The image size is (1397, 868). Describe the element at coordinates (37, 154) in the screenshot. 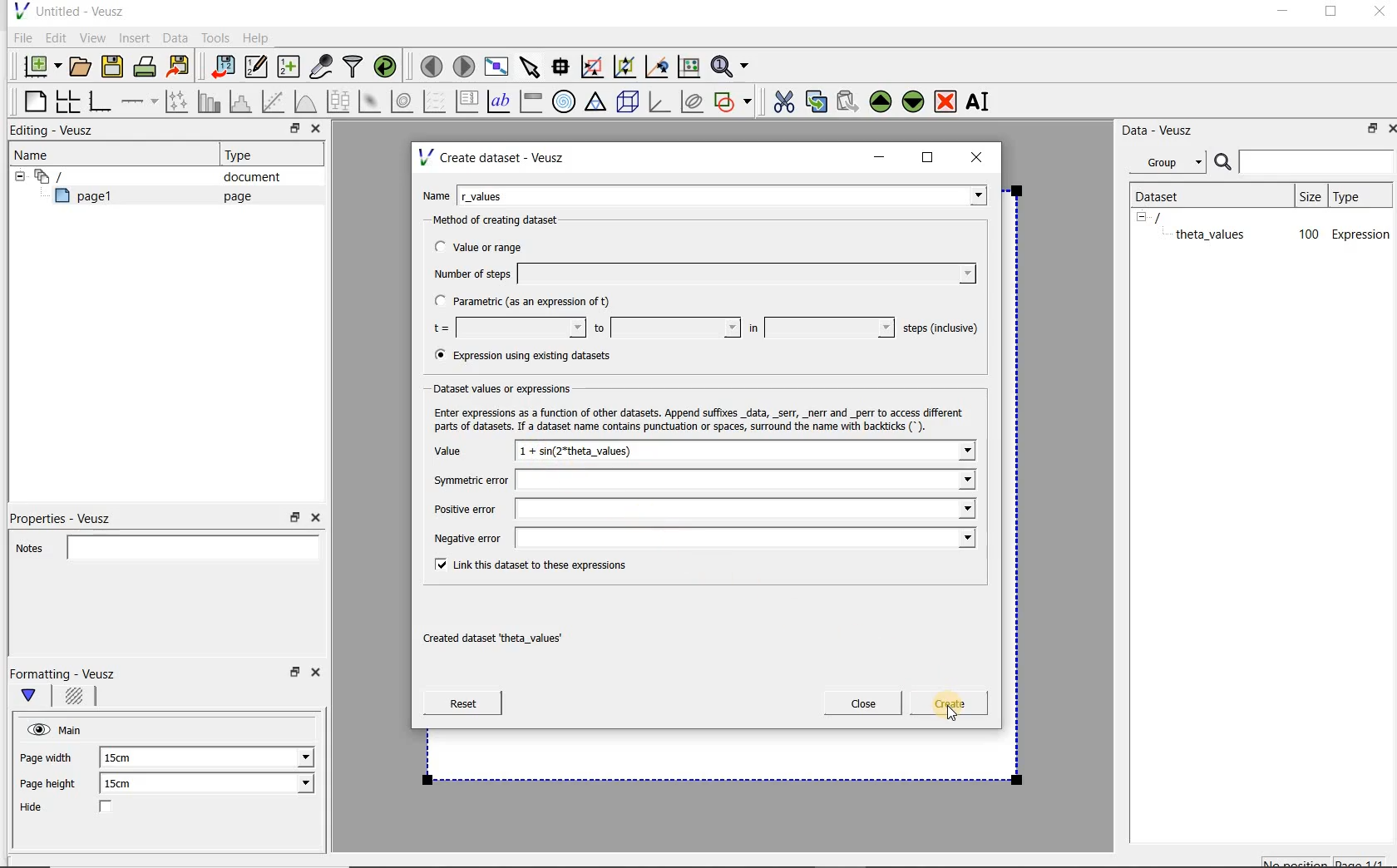

I see `Name` at that location.